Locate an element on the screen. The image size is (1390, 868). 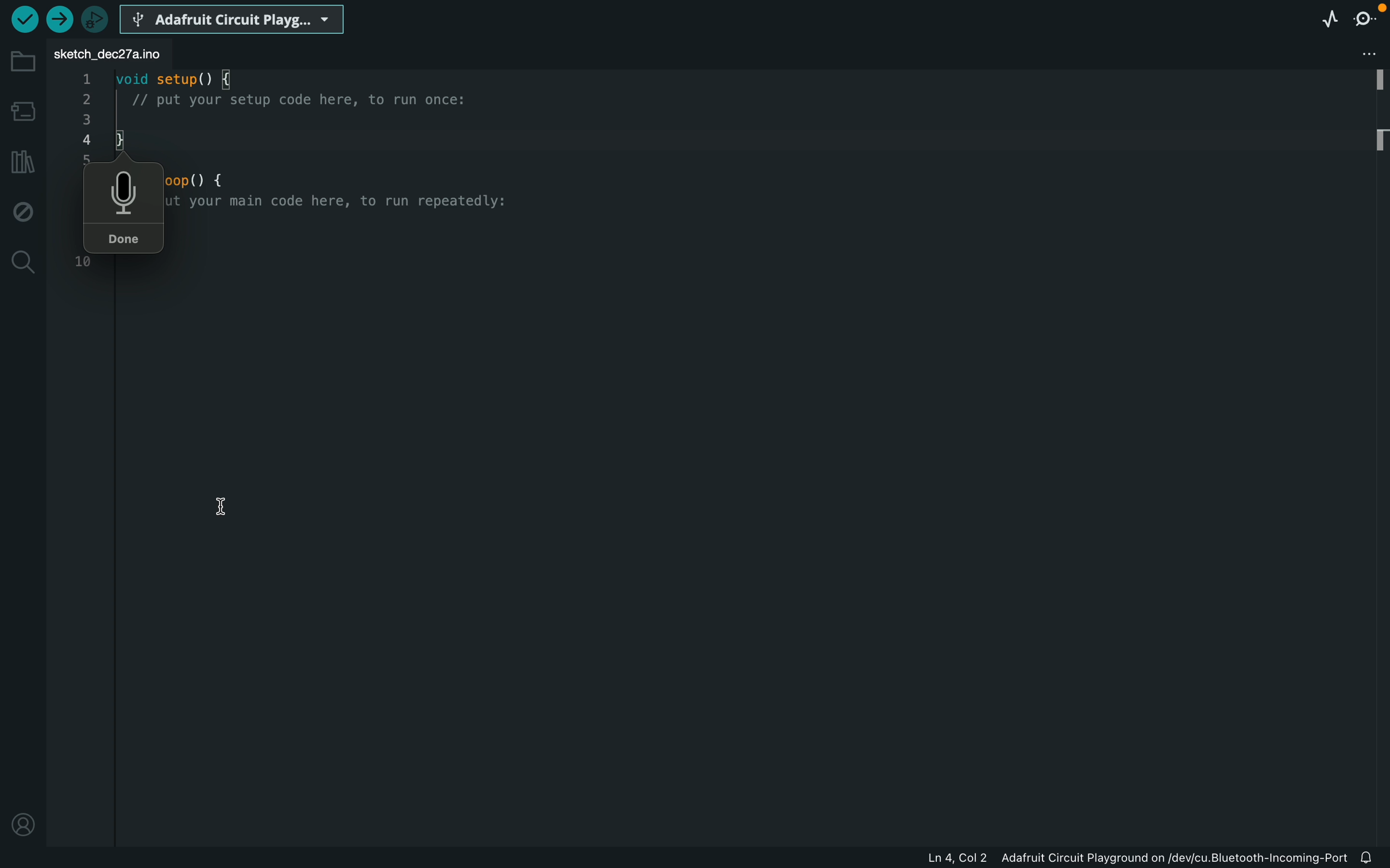
sketcy_dec27a.ino is located at coordinates (108, 56).